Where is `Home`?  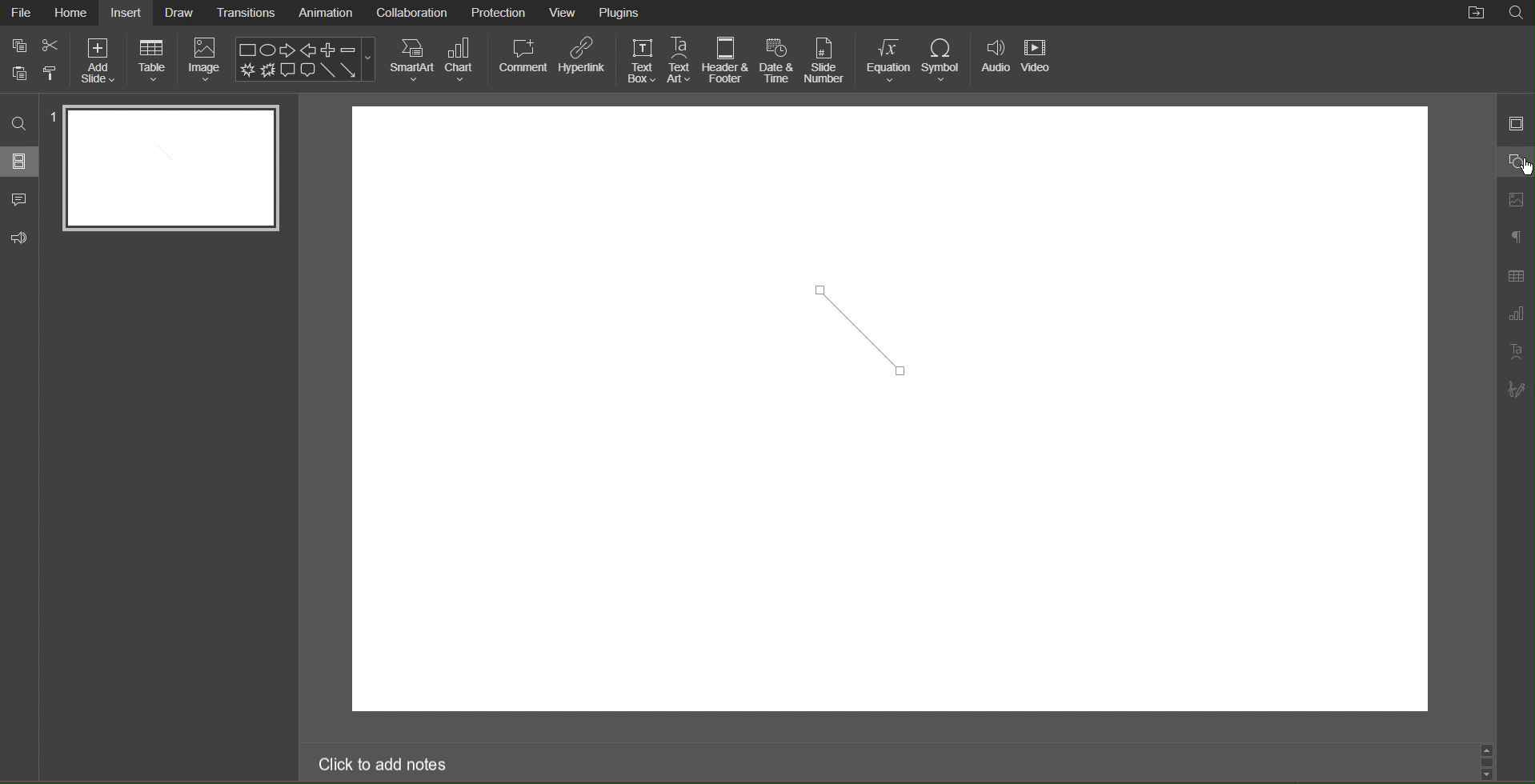 Home is located at coordinates (72, 12).